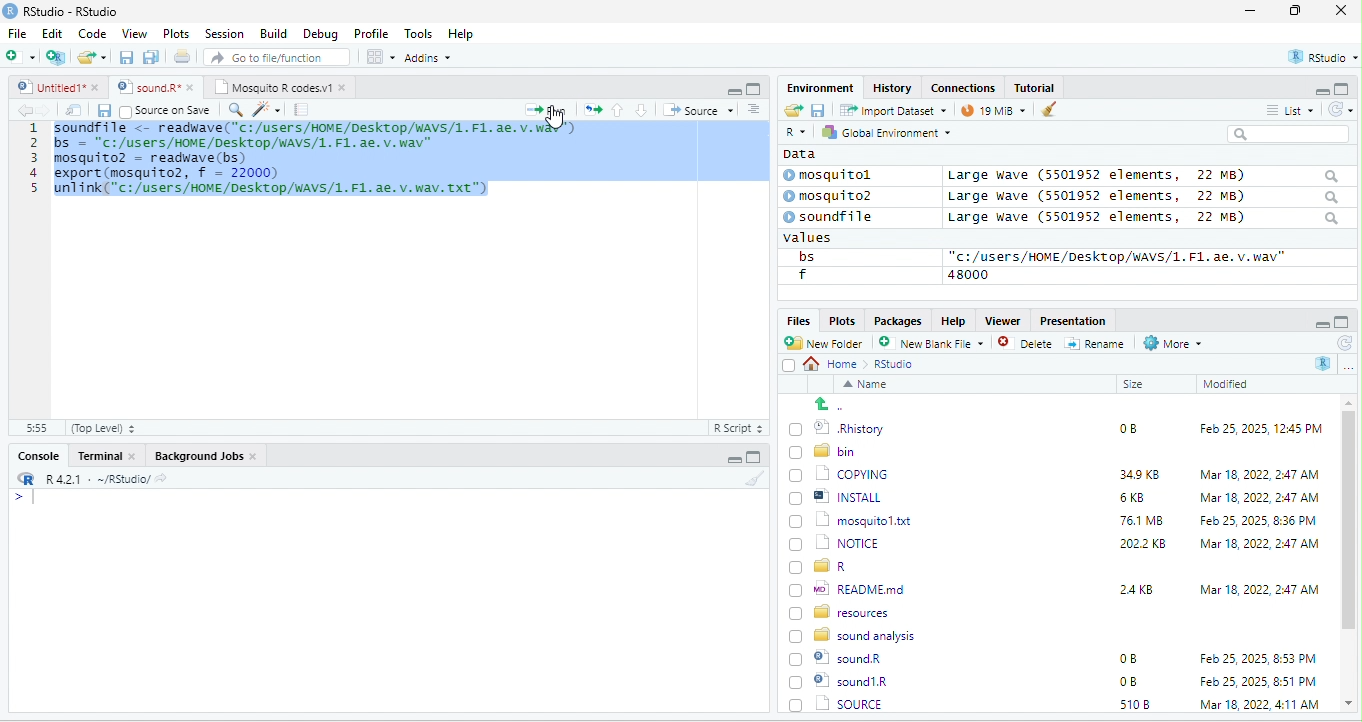 This screenshot has width=1362, height=722. What do you see at coordinates (1028, 344) in the screenshot?
I see `Delete` at bounding box center [1028, 344].